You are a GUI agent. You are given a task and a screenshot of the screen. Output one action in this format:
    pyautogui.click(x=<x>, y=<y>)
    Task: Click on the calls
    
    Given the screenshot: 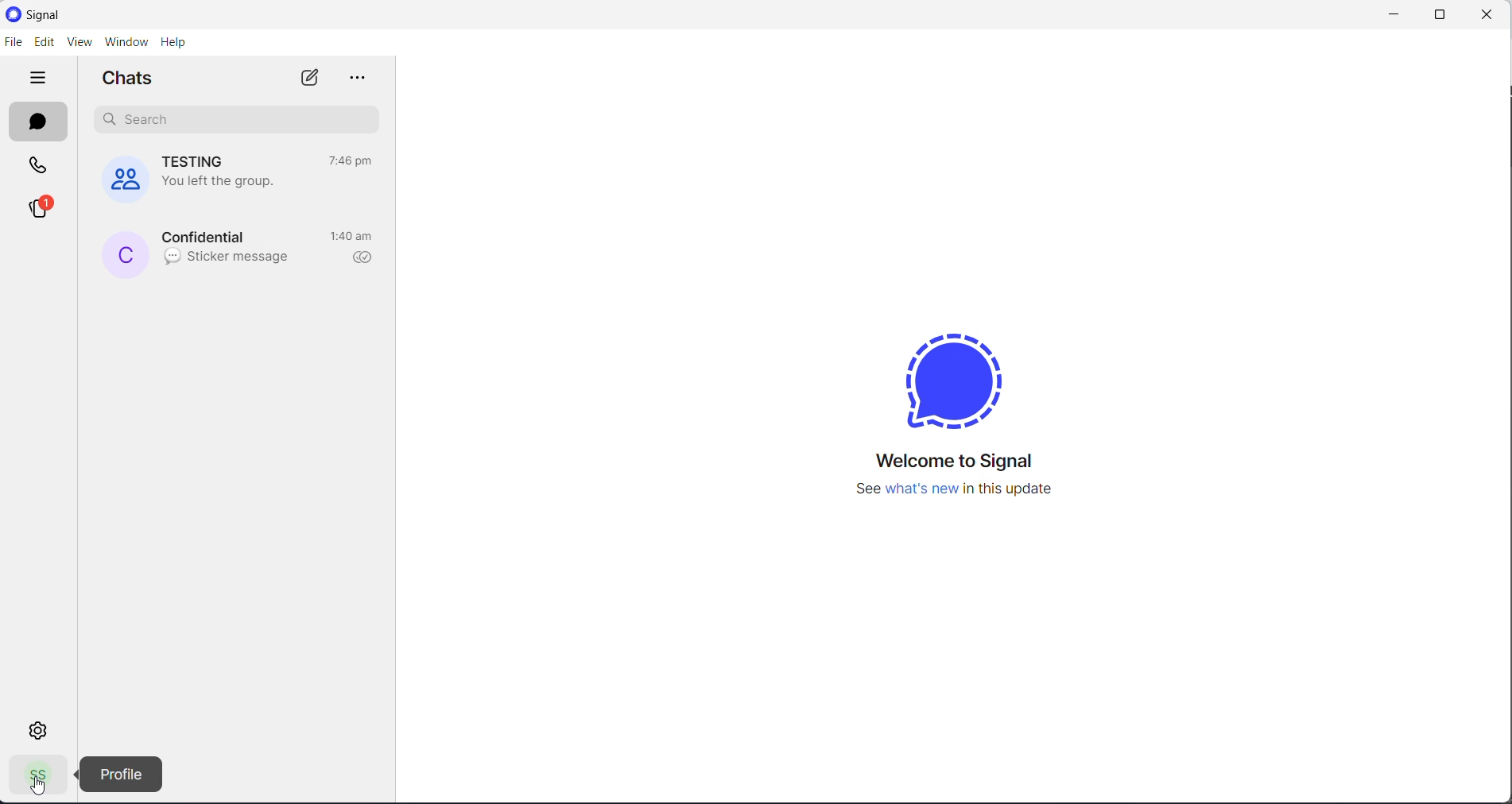 What is the action you would take?
    pyautogui.click(x=39, y=169)
    